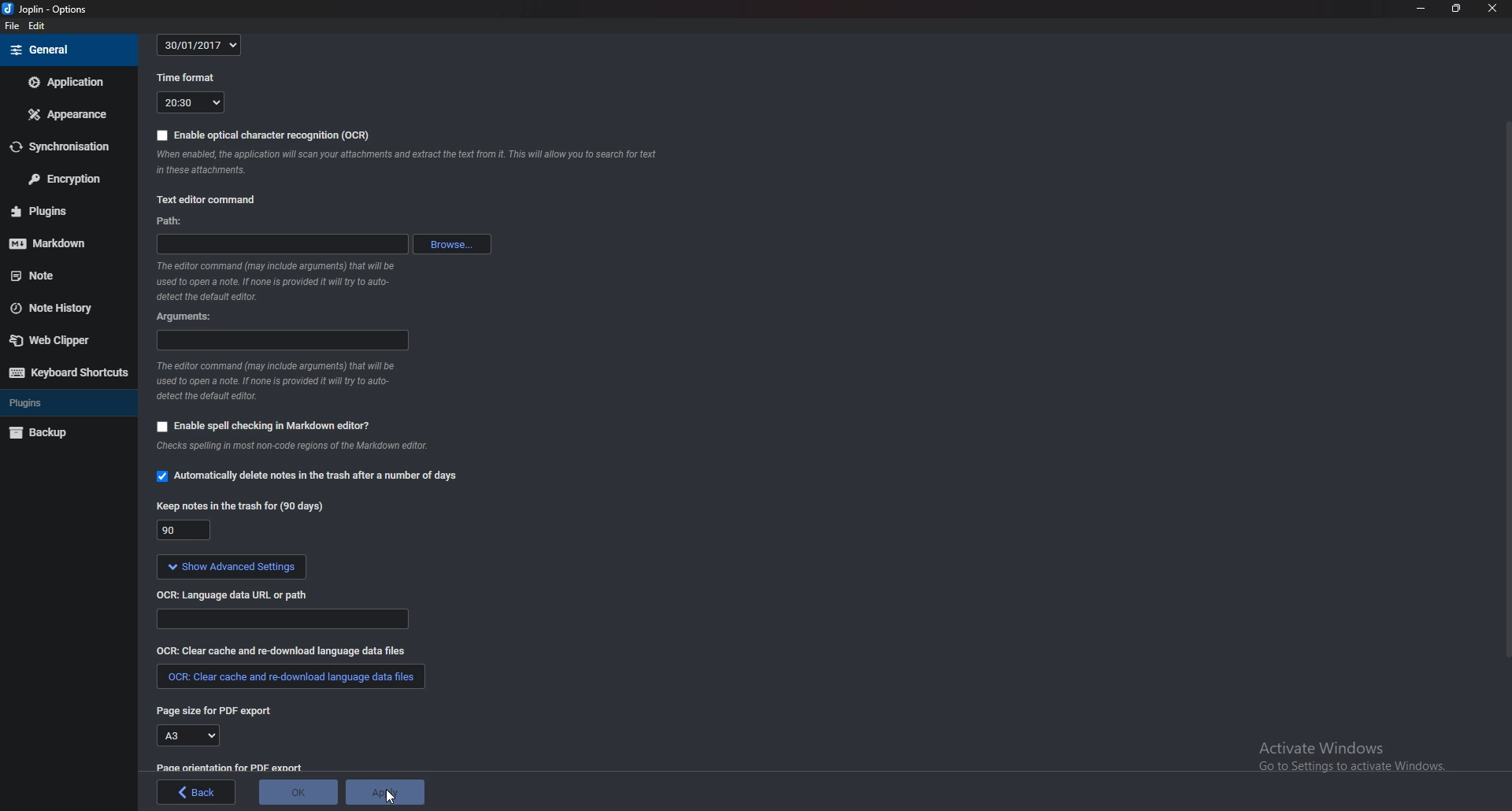  I want to click on file, so click(13, 26).